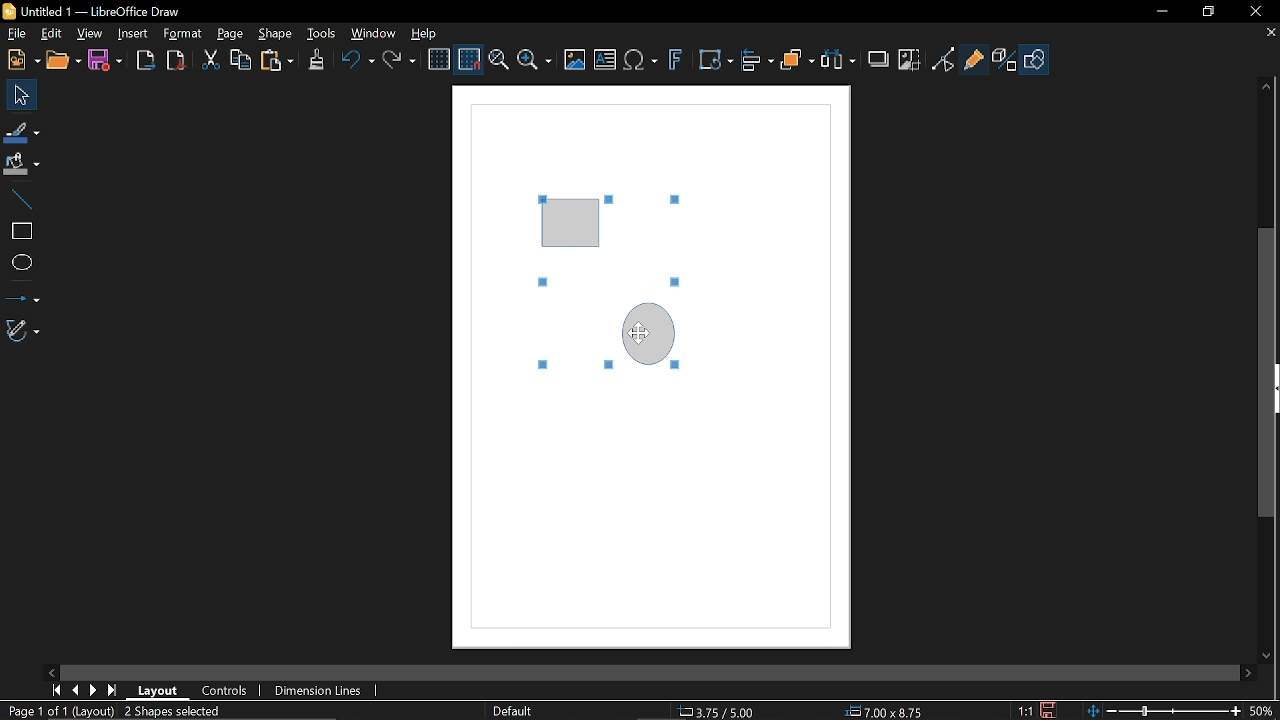  I want to click on Snap to grid, so click(470, 59).